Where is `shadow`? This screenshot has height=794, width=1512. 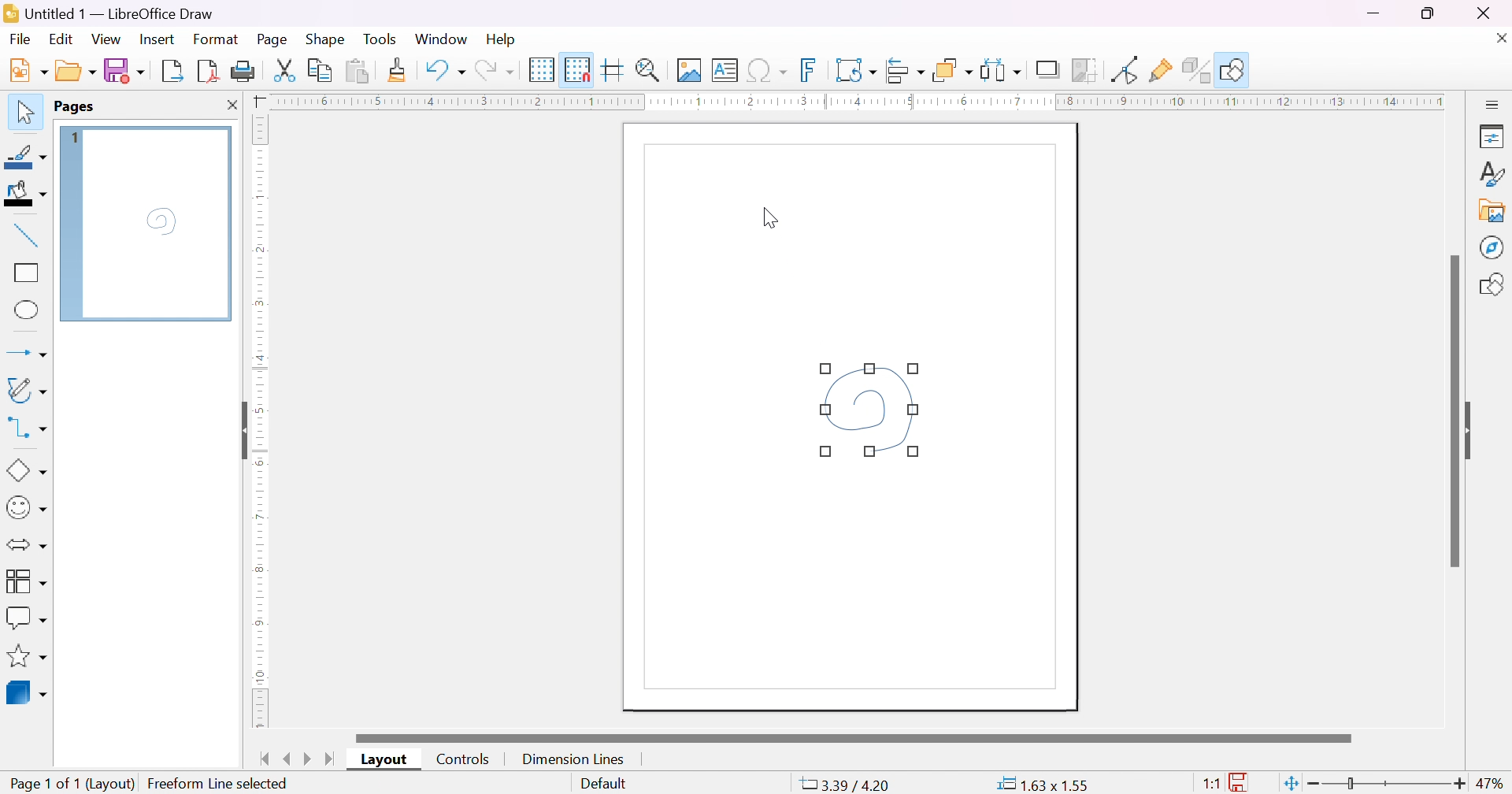
shadow is located at coordinates (1049, 71).